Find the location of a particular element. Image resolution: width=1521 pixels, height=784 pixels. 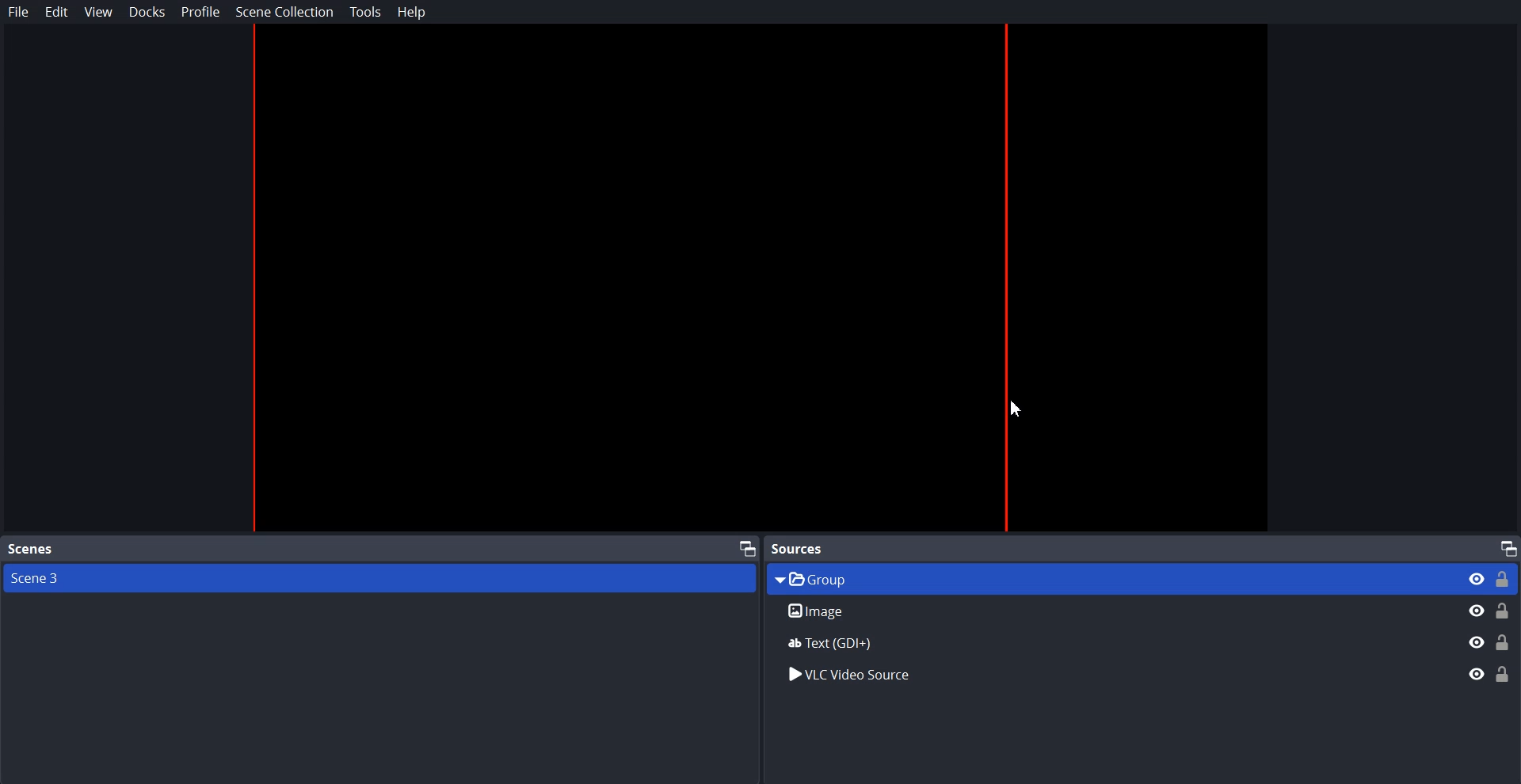

Cursor is located at coordinates (1020, 409).